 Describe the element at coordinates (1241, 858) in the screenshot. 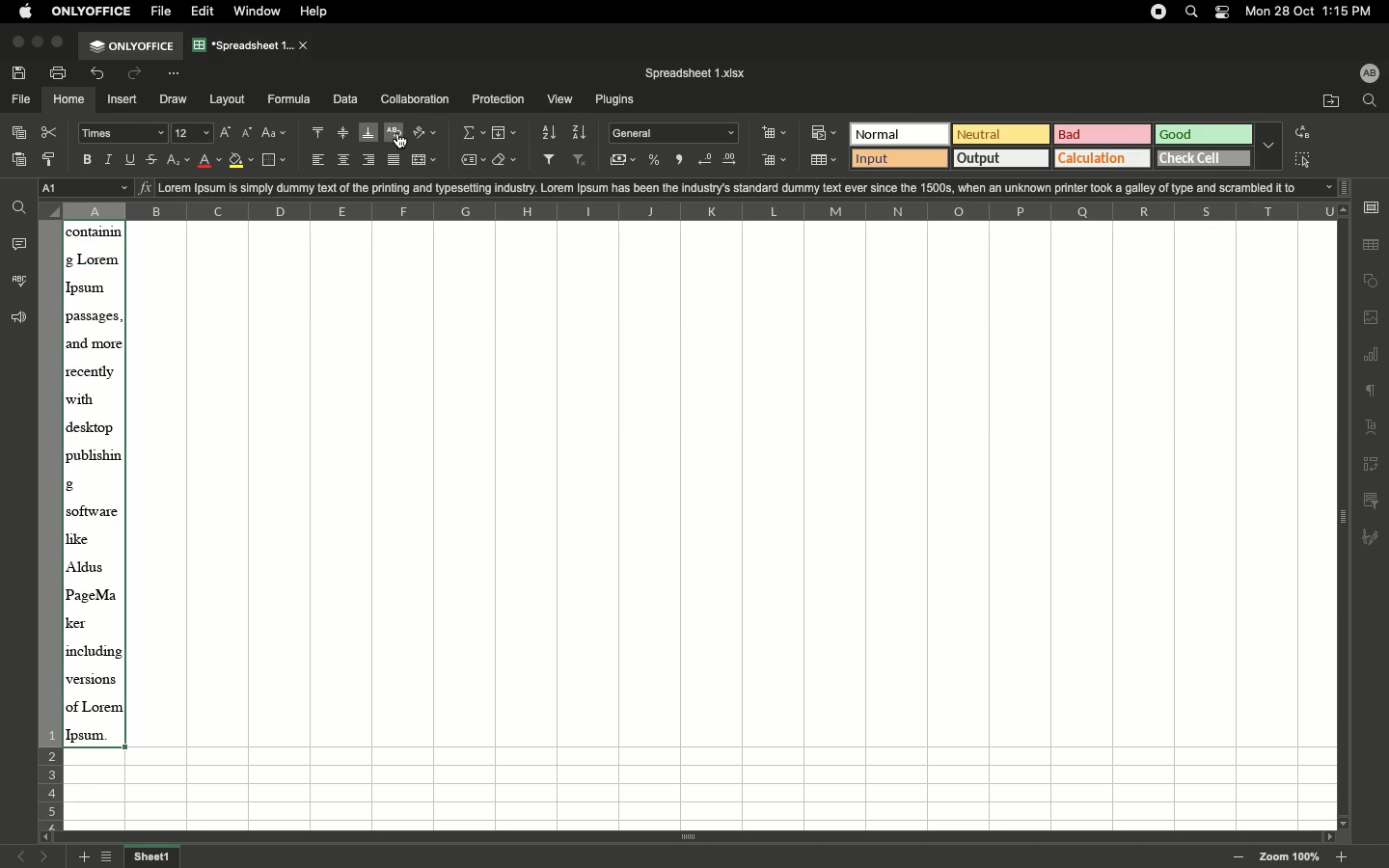

I see `Zoom out` at that location.